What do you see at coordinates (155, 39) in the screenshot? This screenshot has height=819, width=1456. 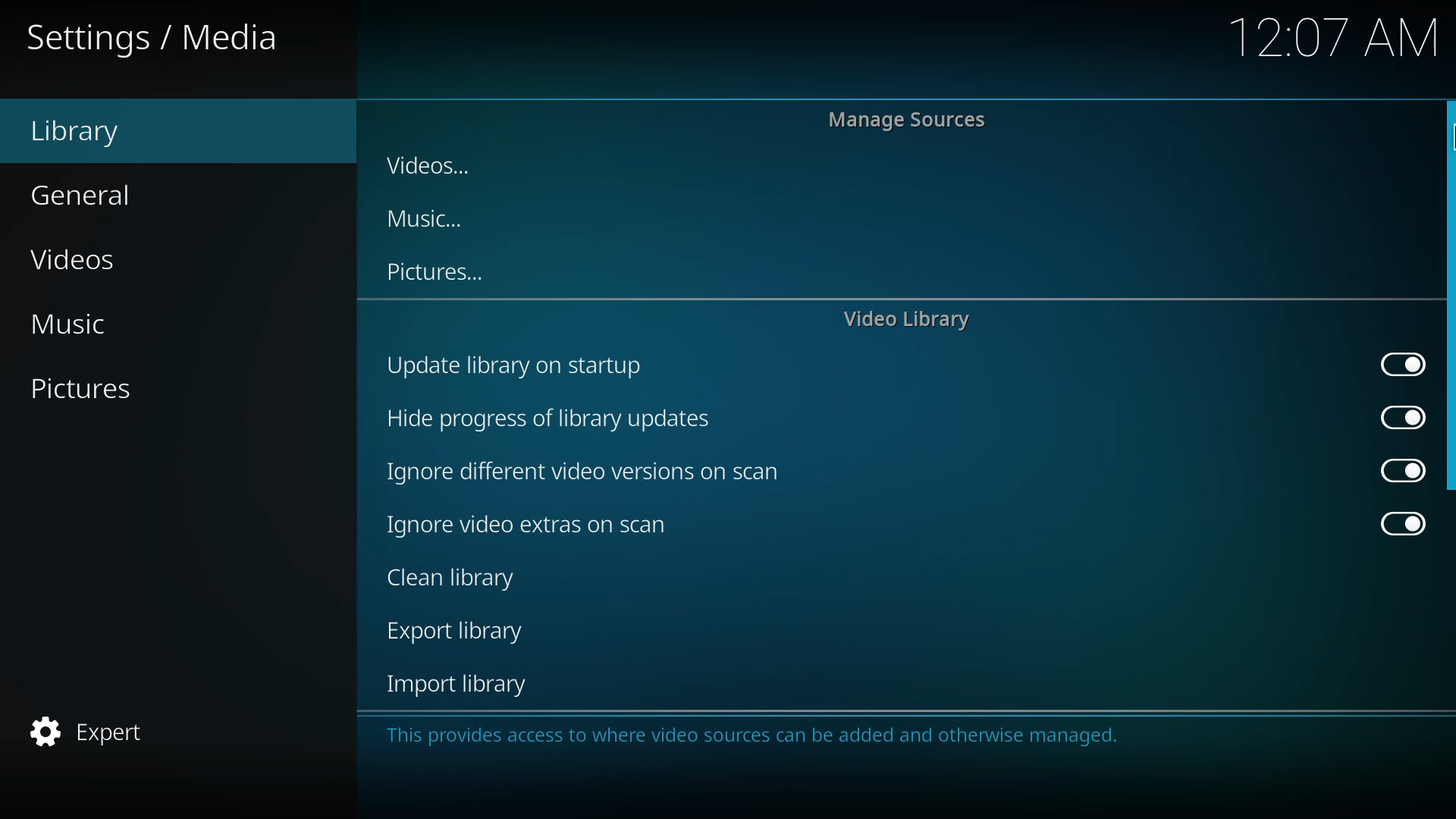 I see `settings media` at bounding box center [155, 39].